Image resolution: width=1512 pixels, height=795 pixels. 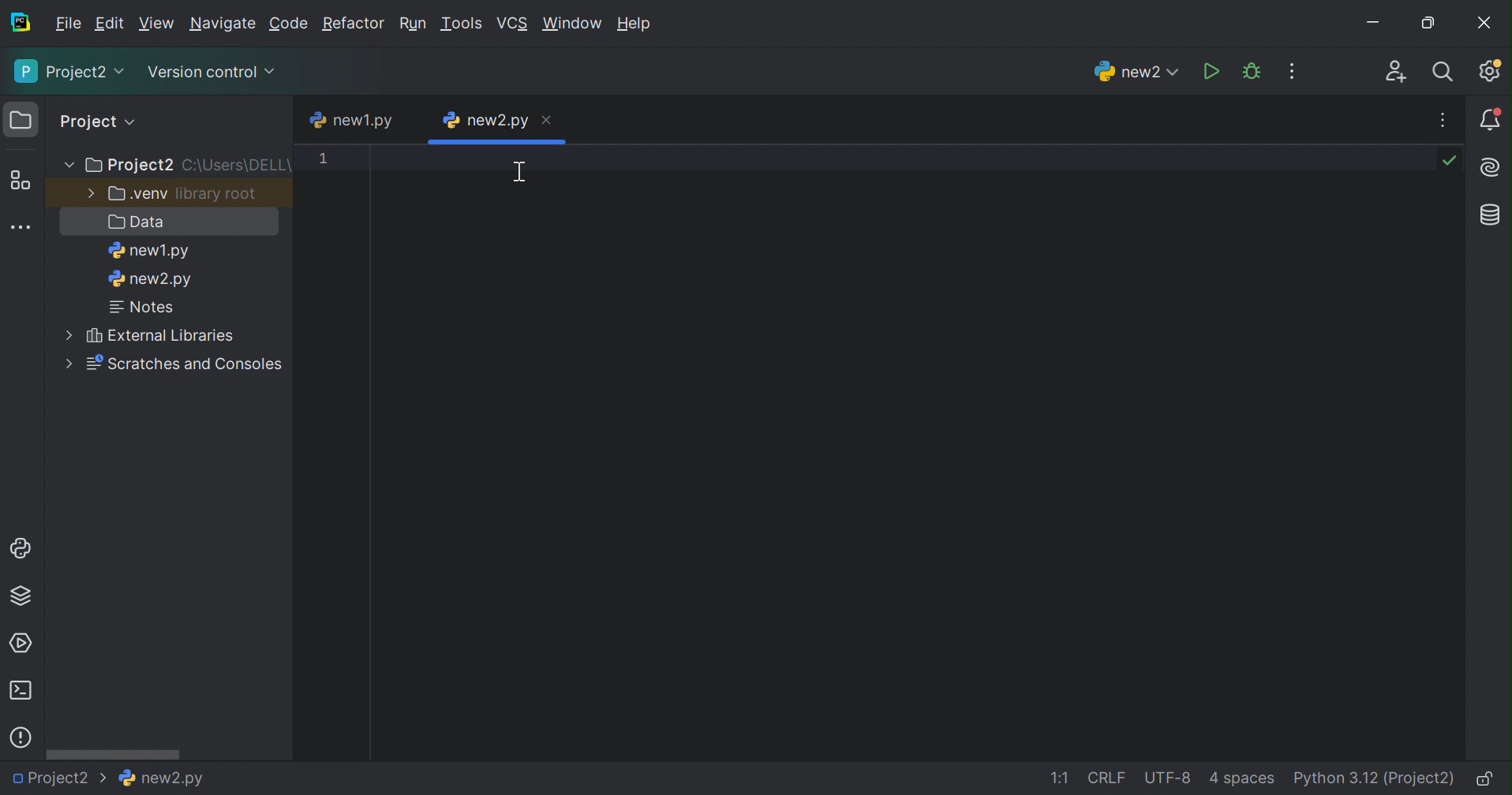 I want to click on AI Assistant, so click(x=1492, y=167).